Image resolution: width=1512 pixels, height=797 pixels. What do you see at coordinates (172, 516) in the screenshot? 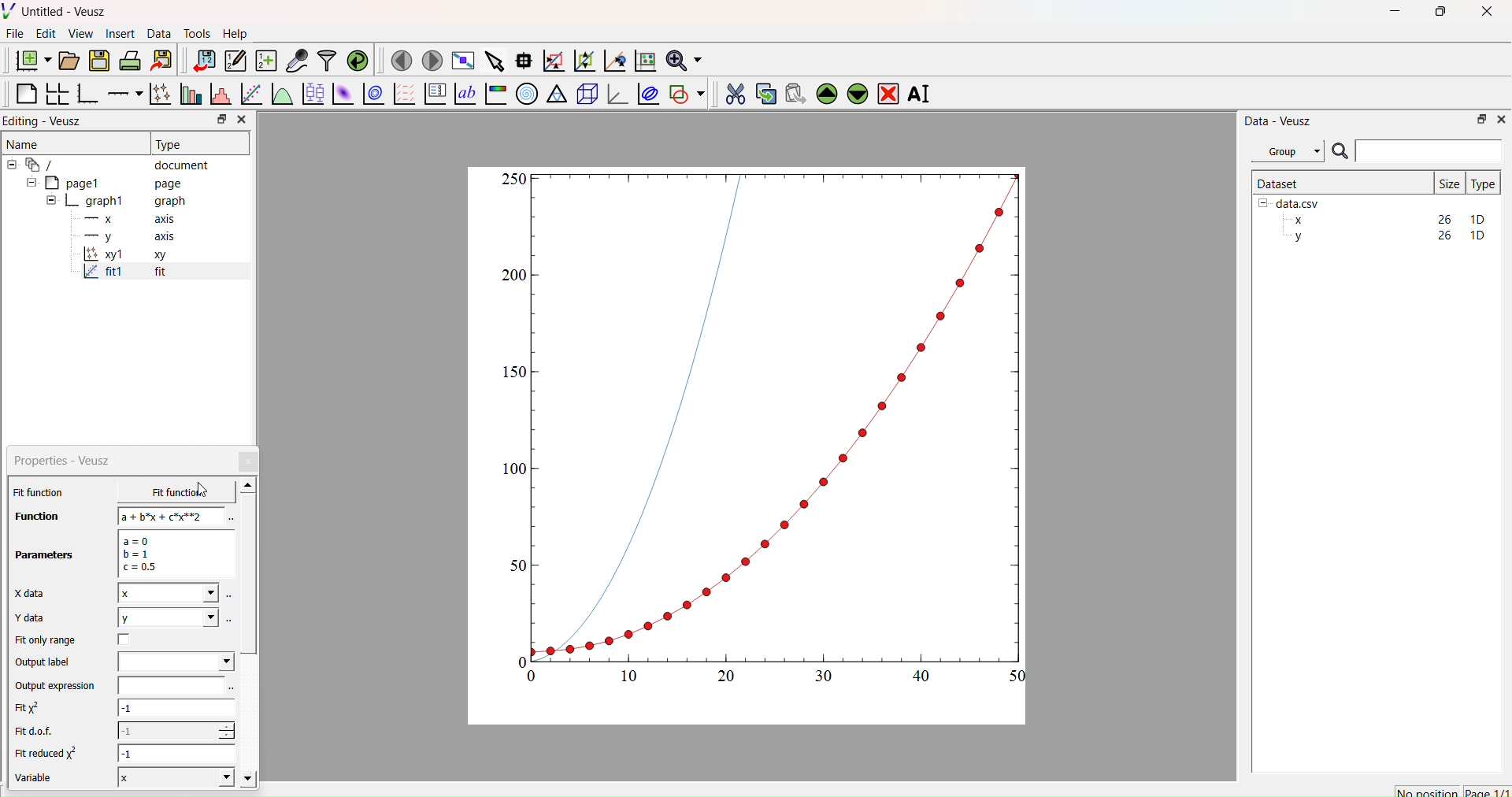
I see `a+b*x+c*x**2` at bounding box center [172, 516].